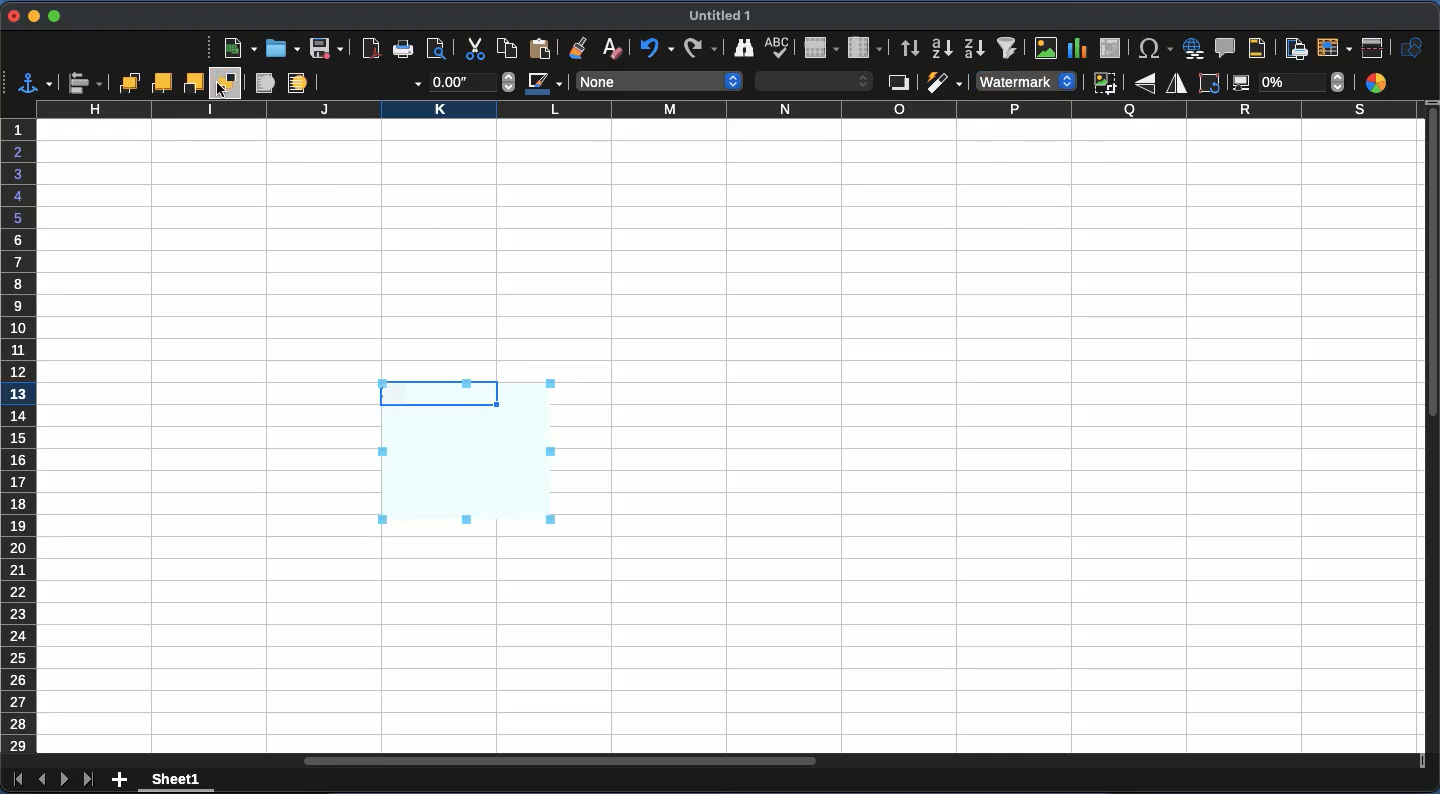  Describe the element at coordinates (940, 48) in the screenshot. I see `ascending` at that location.